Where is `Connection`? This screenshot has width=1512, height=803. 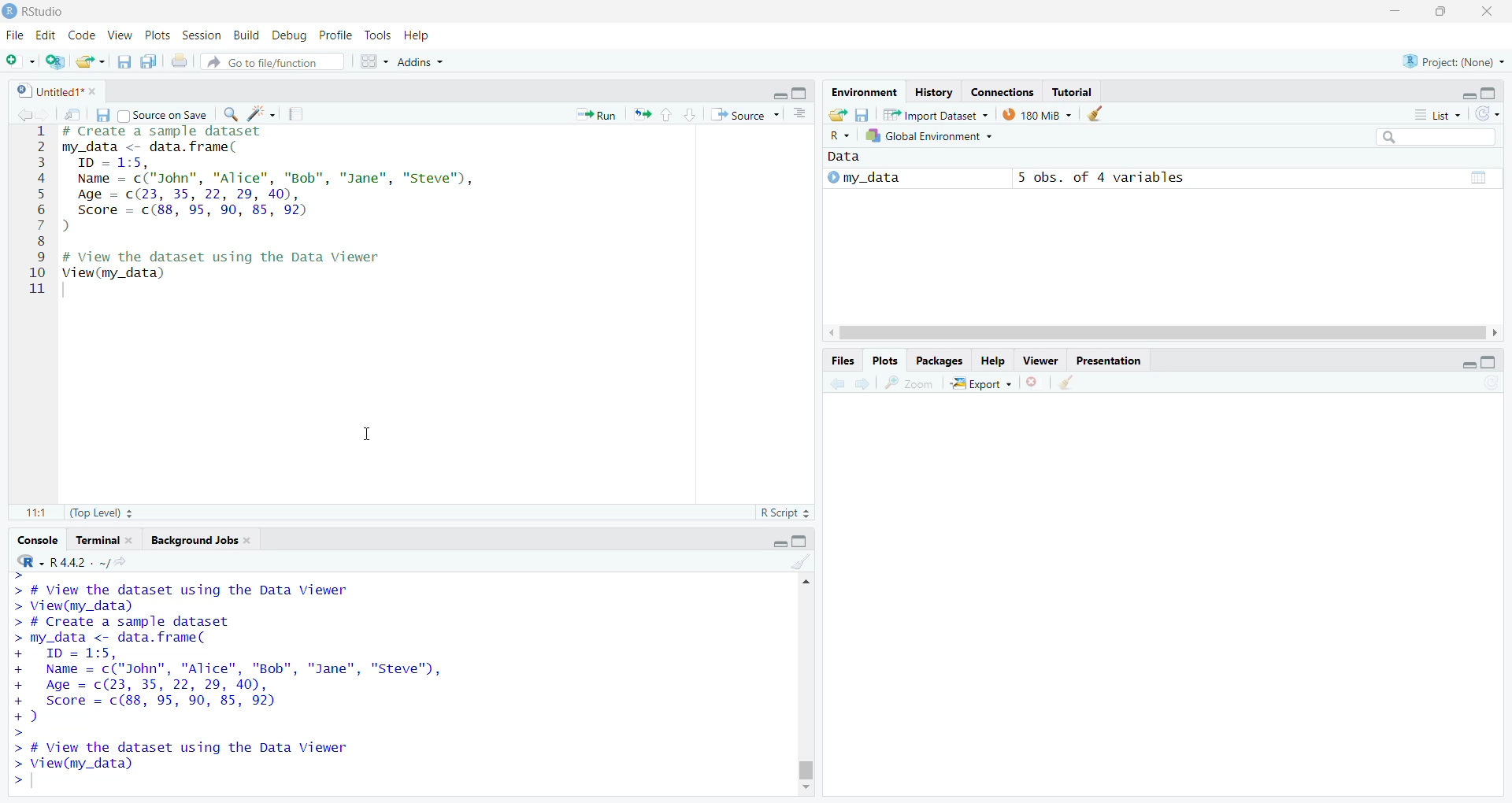 Connection is located at coordinates (1000, 94).